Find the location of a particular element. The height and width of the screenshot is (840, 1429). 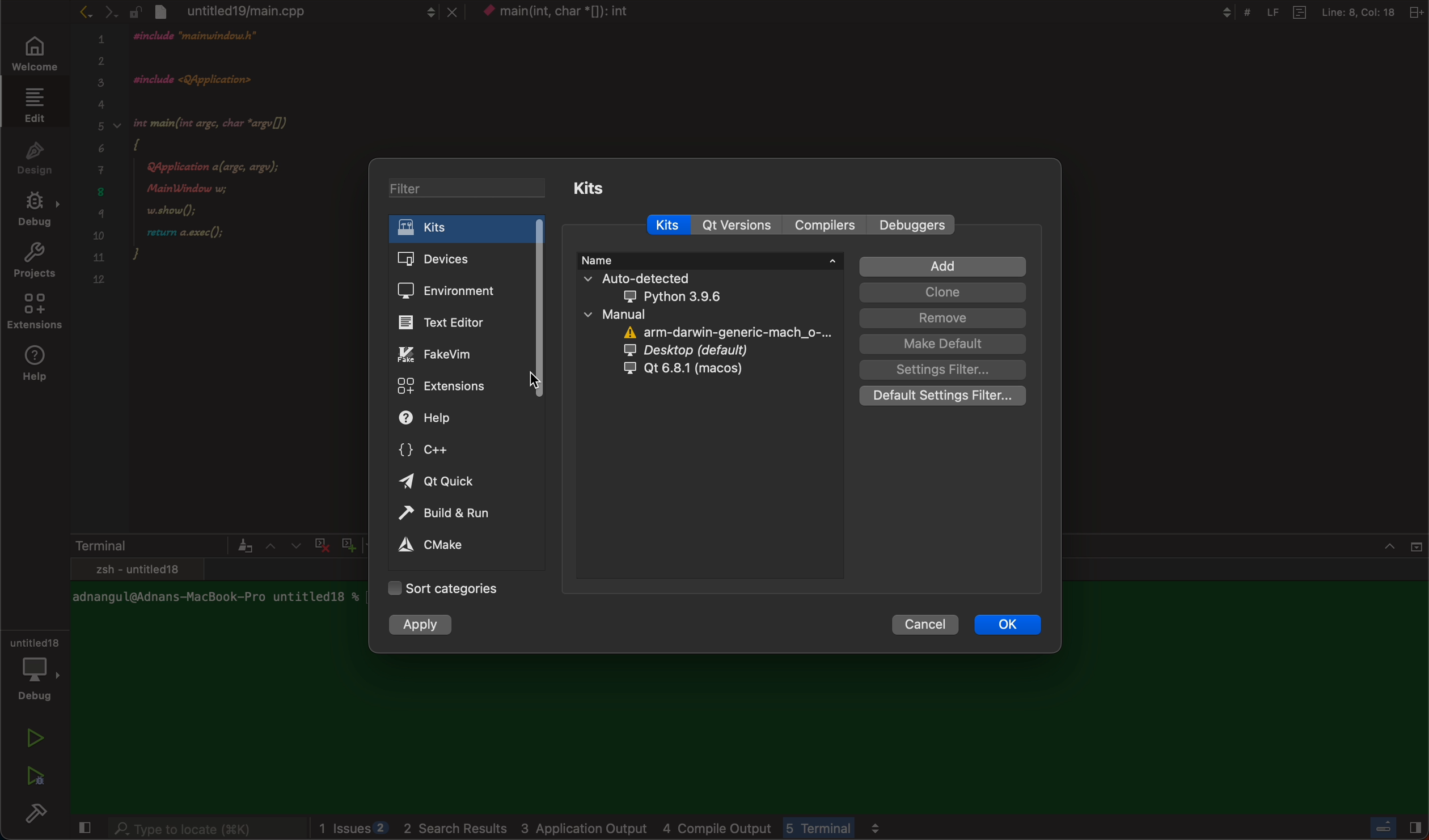

qt quick is located at coordinates (458, 483).